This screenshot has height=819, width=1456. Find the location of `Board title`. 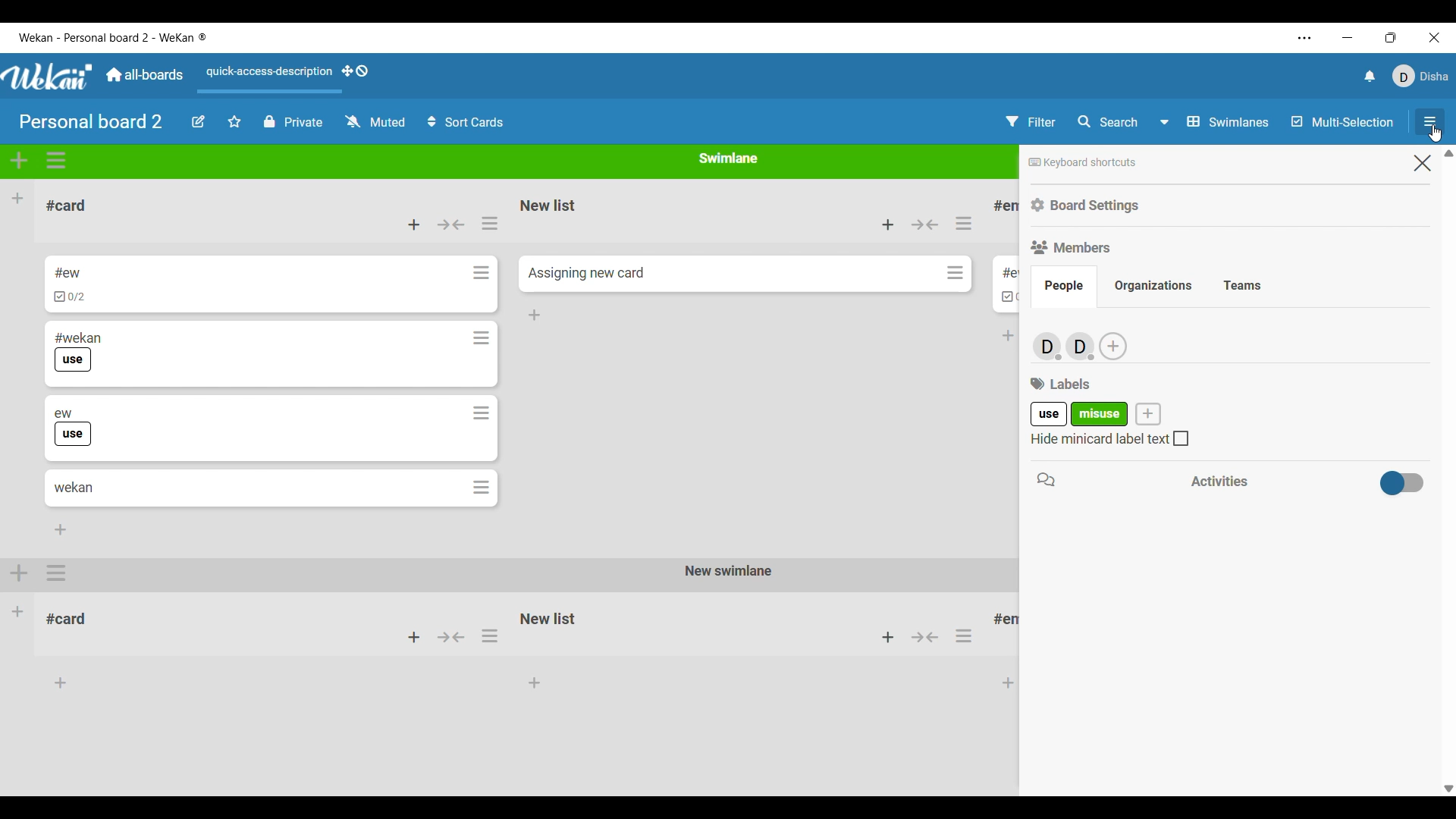

Board title is located at coordinates (91, 121).